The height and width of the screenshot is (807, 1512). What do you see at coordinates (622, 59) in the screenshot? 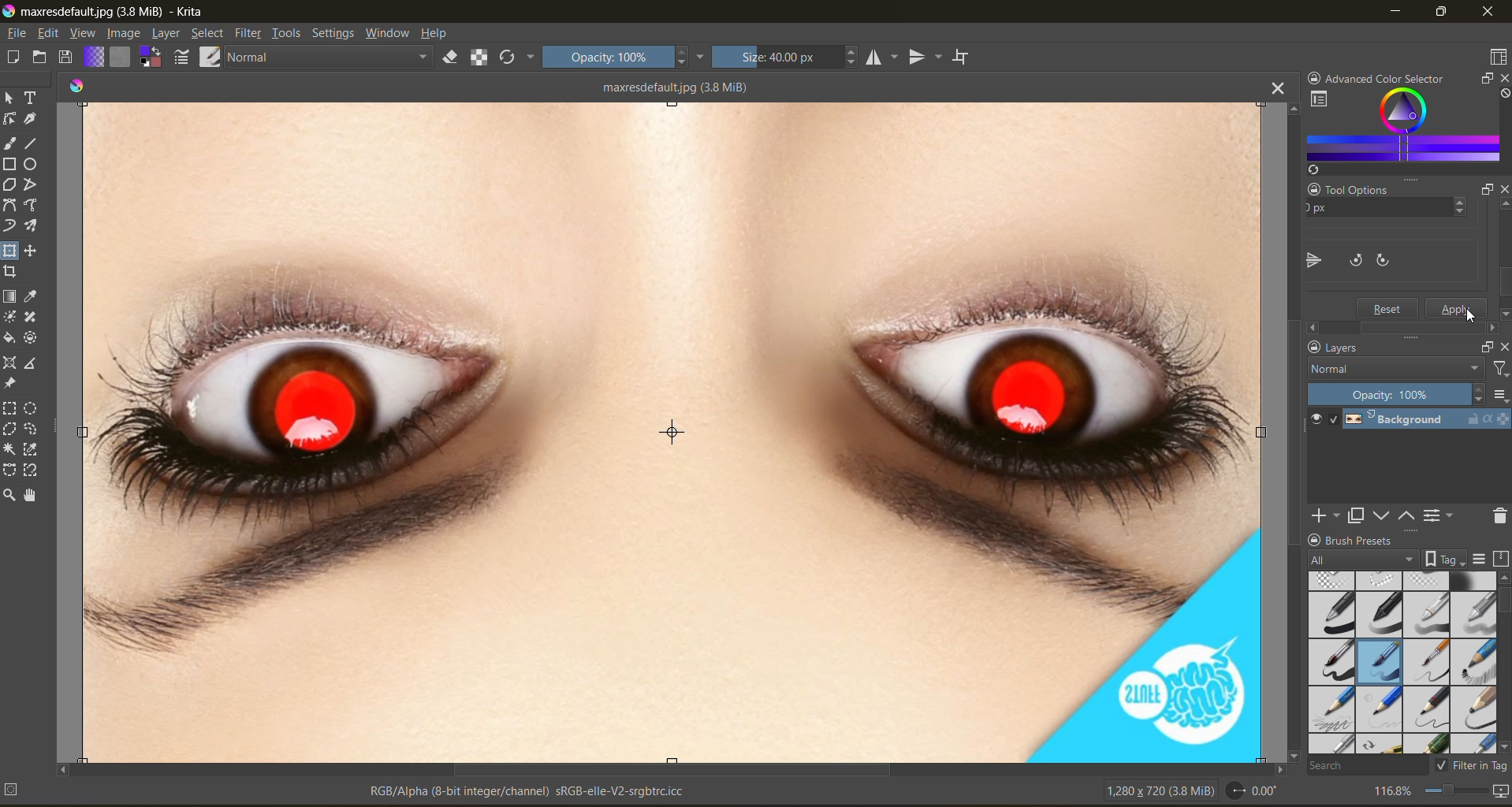
I see `opacity` at bounding box center [622, 59].